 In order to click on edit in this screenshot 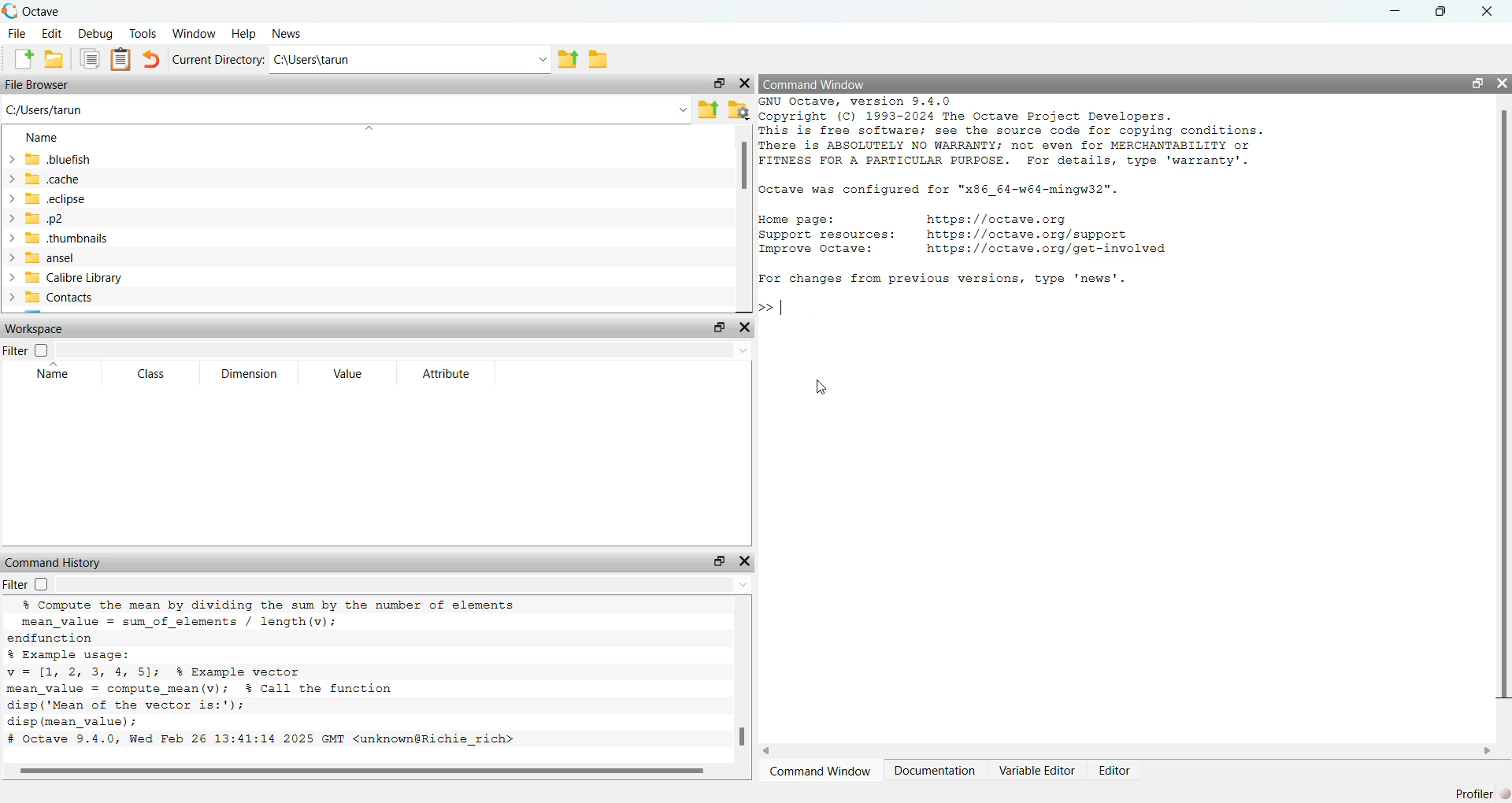, I will do `click(54, 34)`.